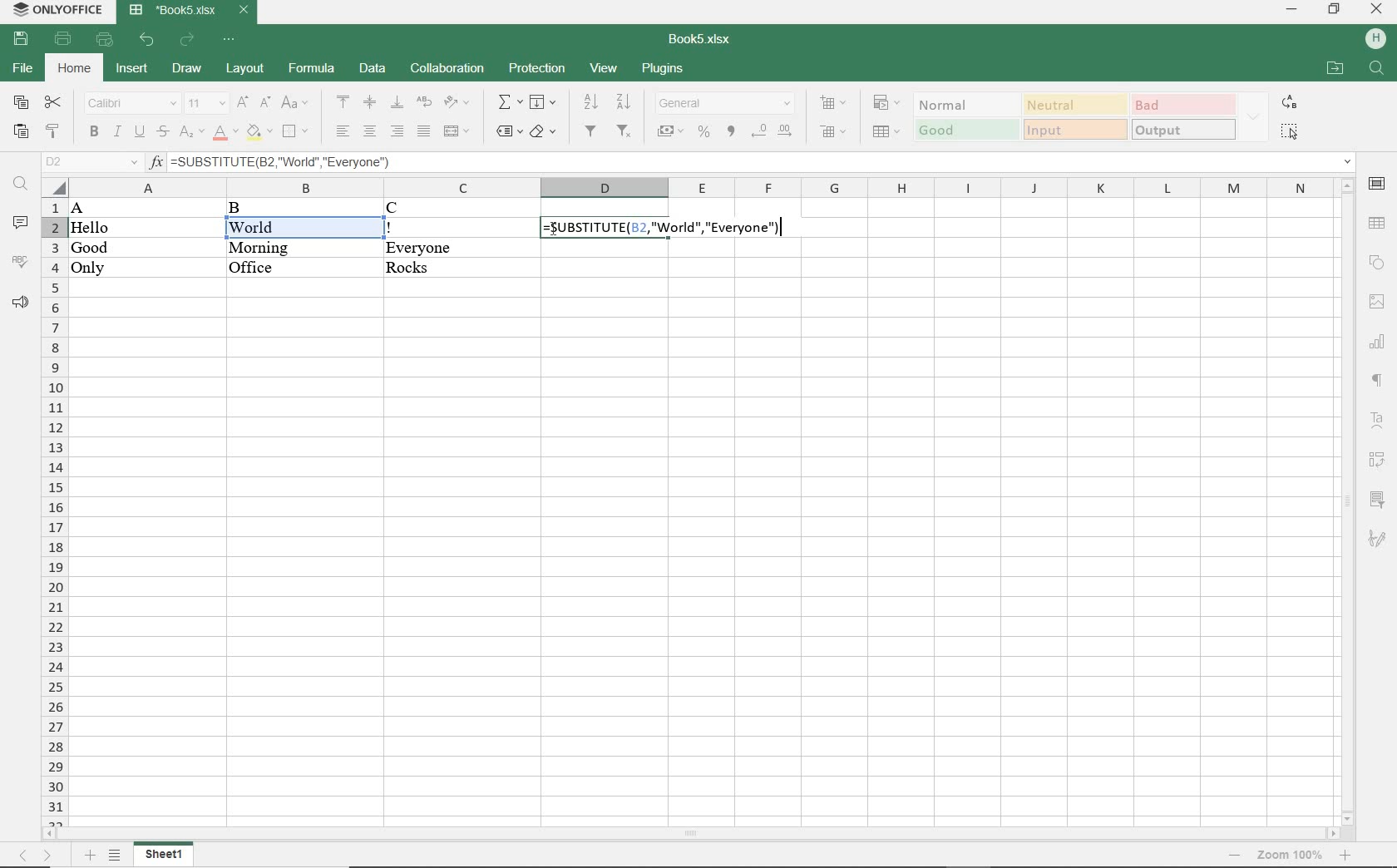 This screenshot has height=868, width=1397. I want to click on move left, so click(52, 832).